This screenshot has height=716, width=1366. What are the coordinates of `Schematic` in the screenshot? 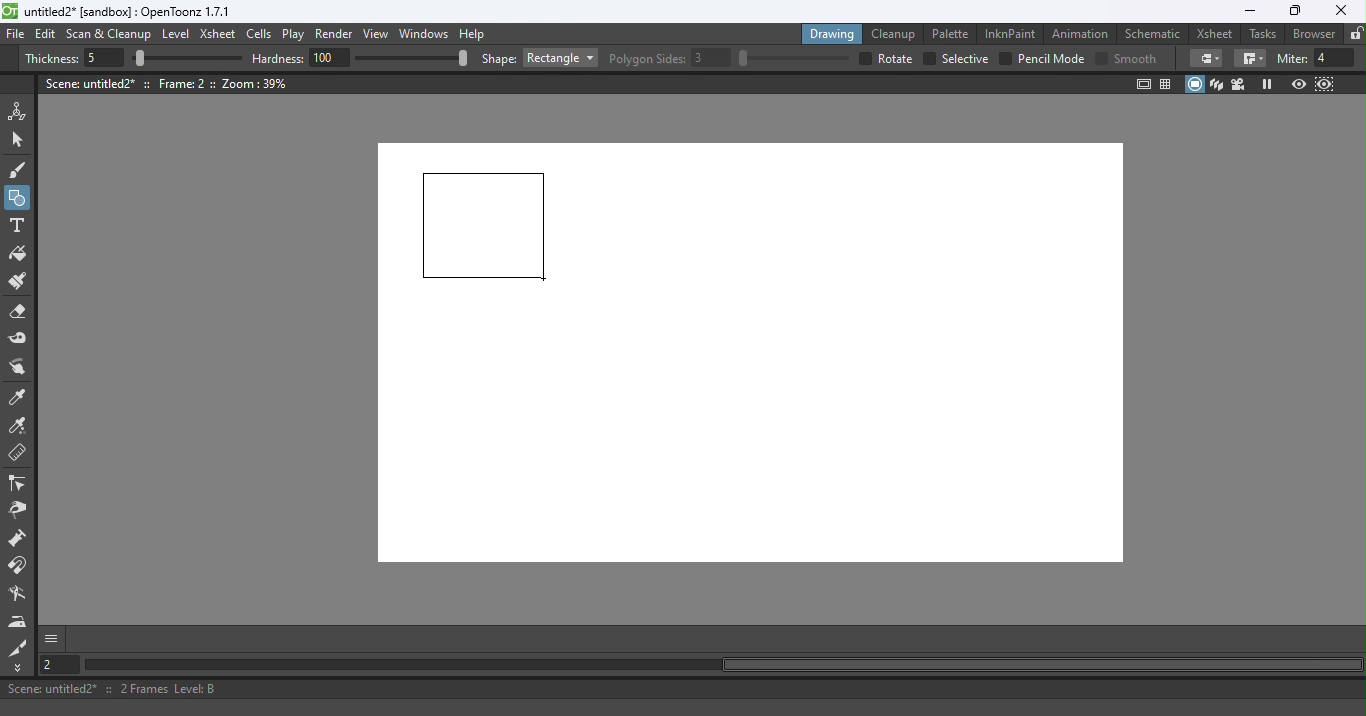 It's located at (1153, 34).